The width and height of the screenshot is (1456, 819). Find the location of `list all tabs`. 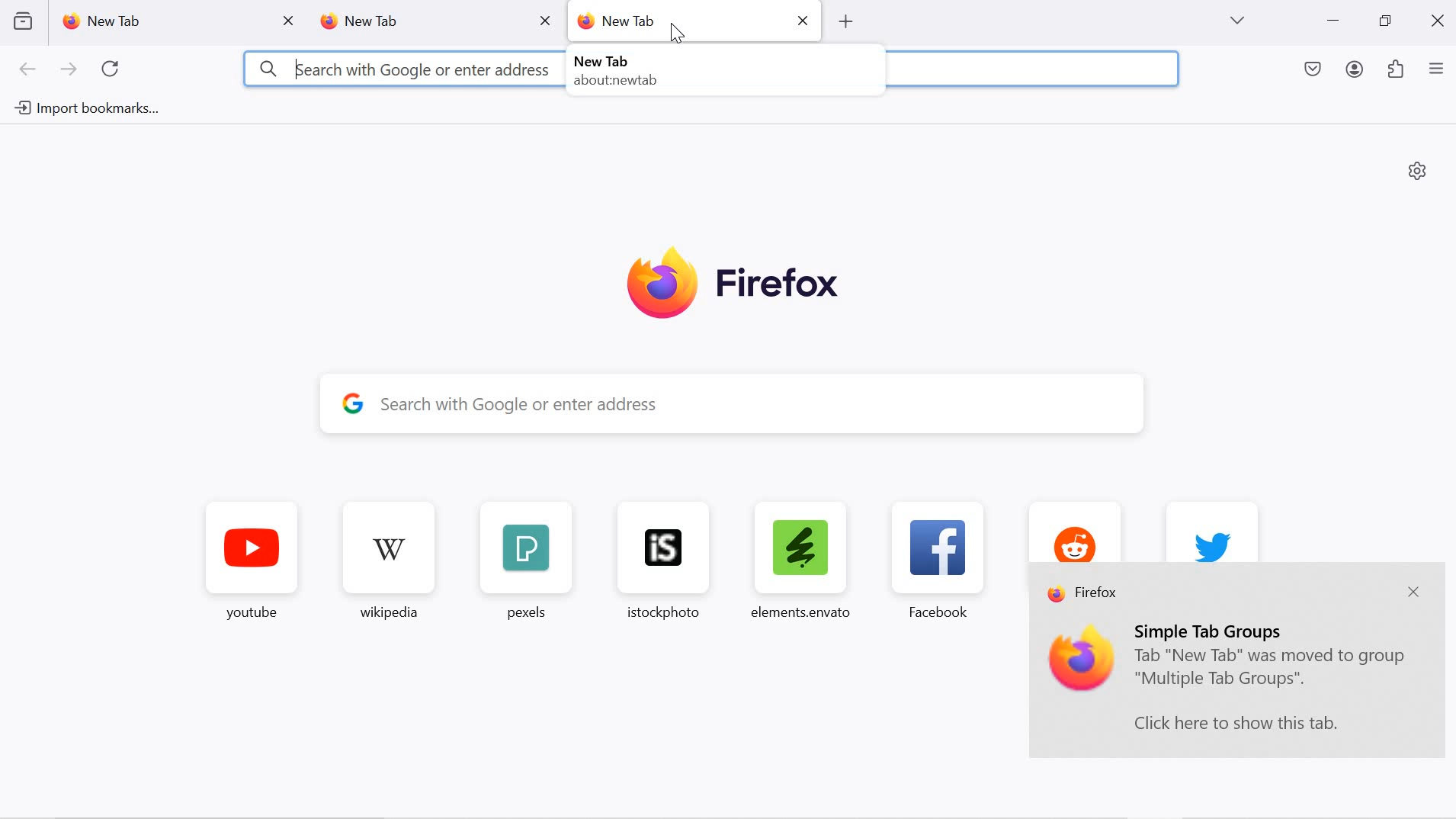

list all tabs is located at coordinates (1236, 21).